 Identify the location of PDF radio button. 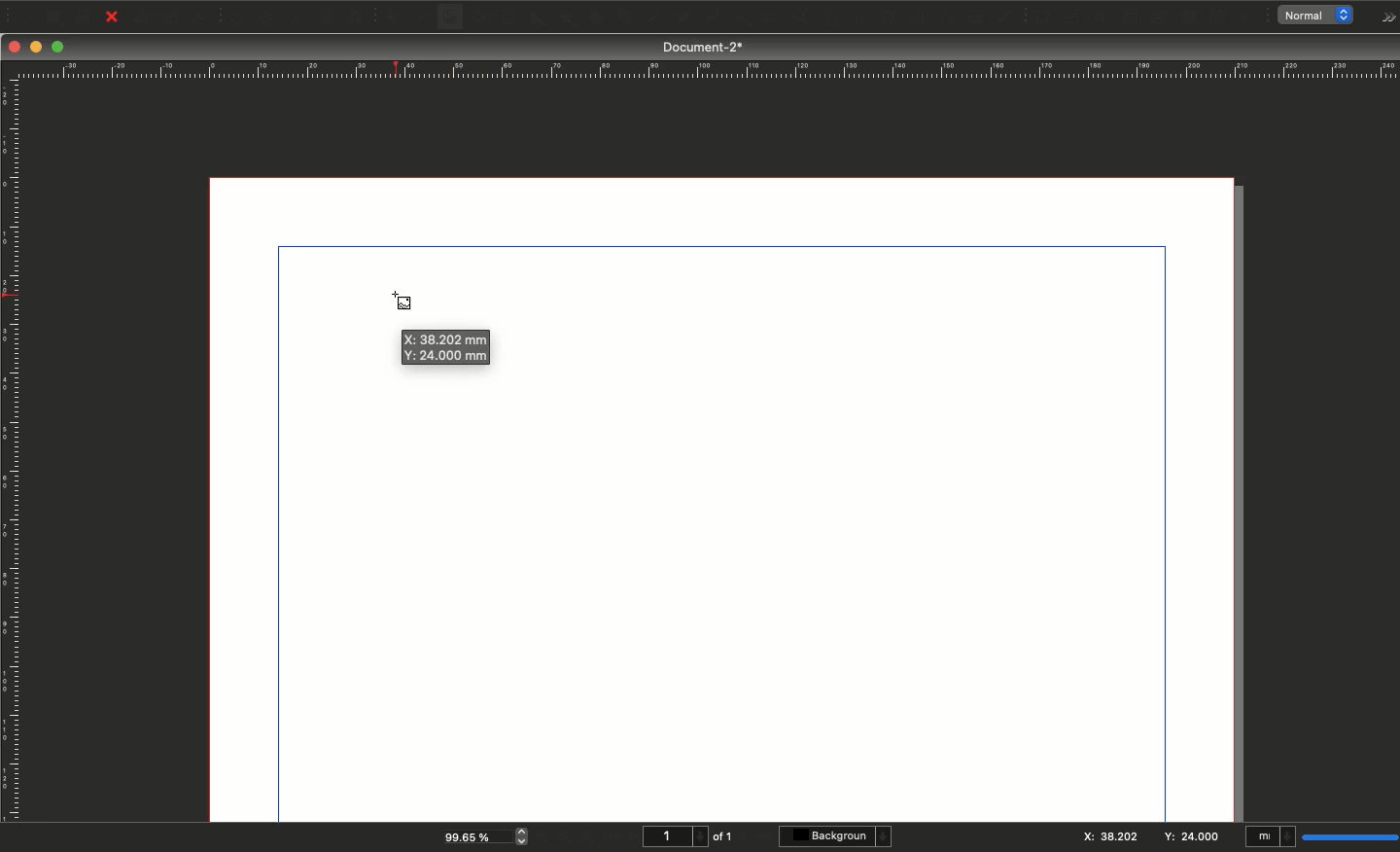
(1102, 18).